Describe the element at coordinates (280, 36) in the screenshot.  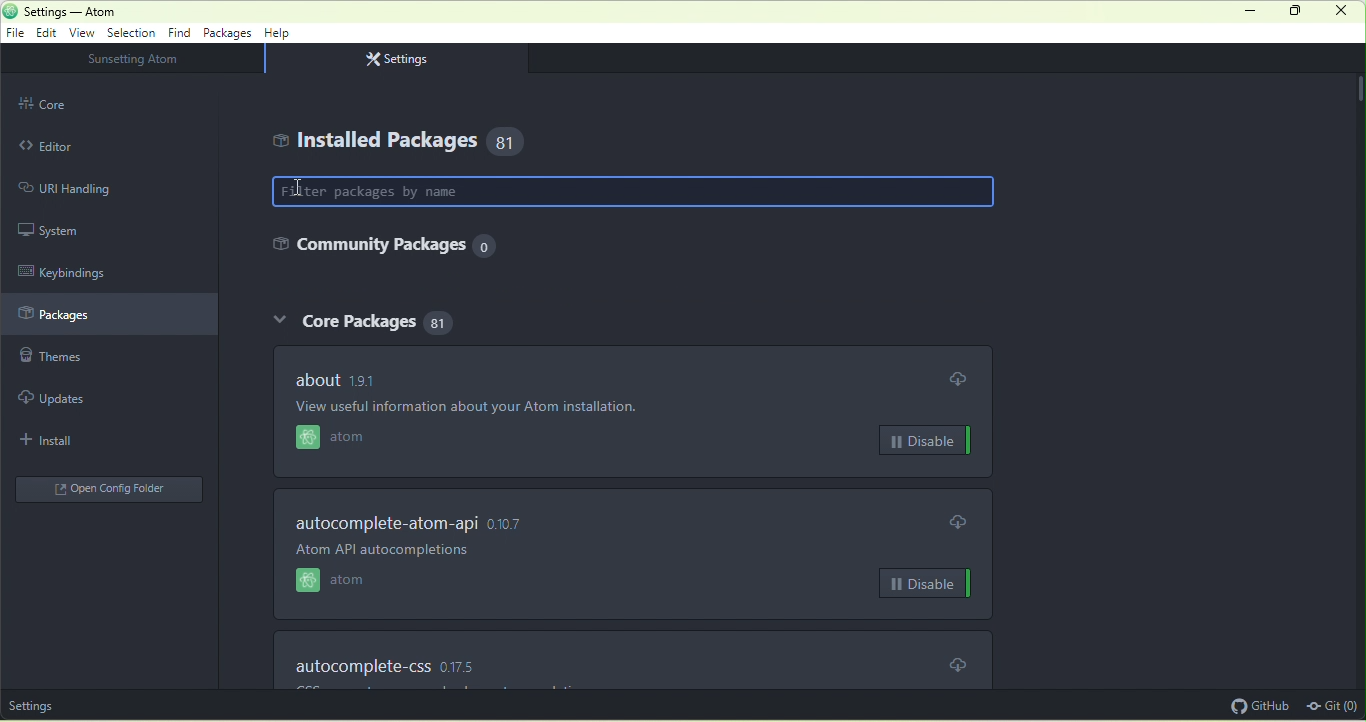
I see `help` at that location.